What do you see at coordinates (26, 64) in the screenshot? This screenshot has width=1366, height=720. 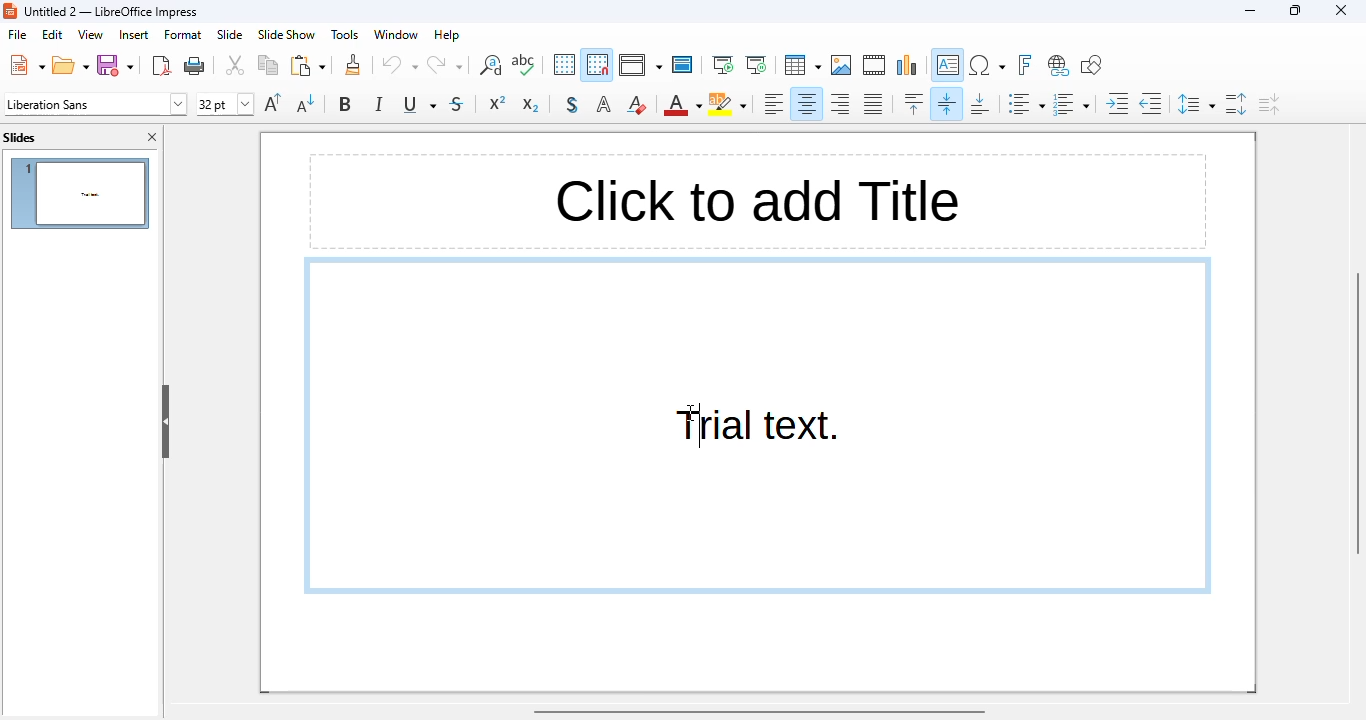 I see `new` at bounding box center [26, 64].